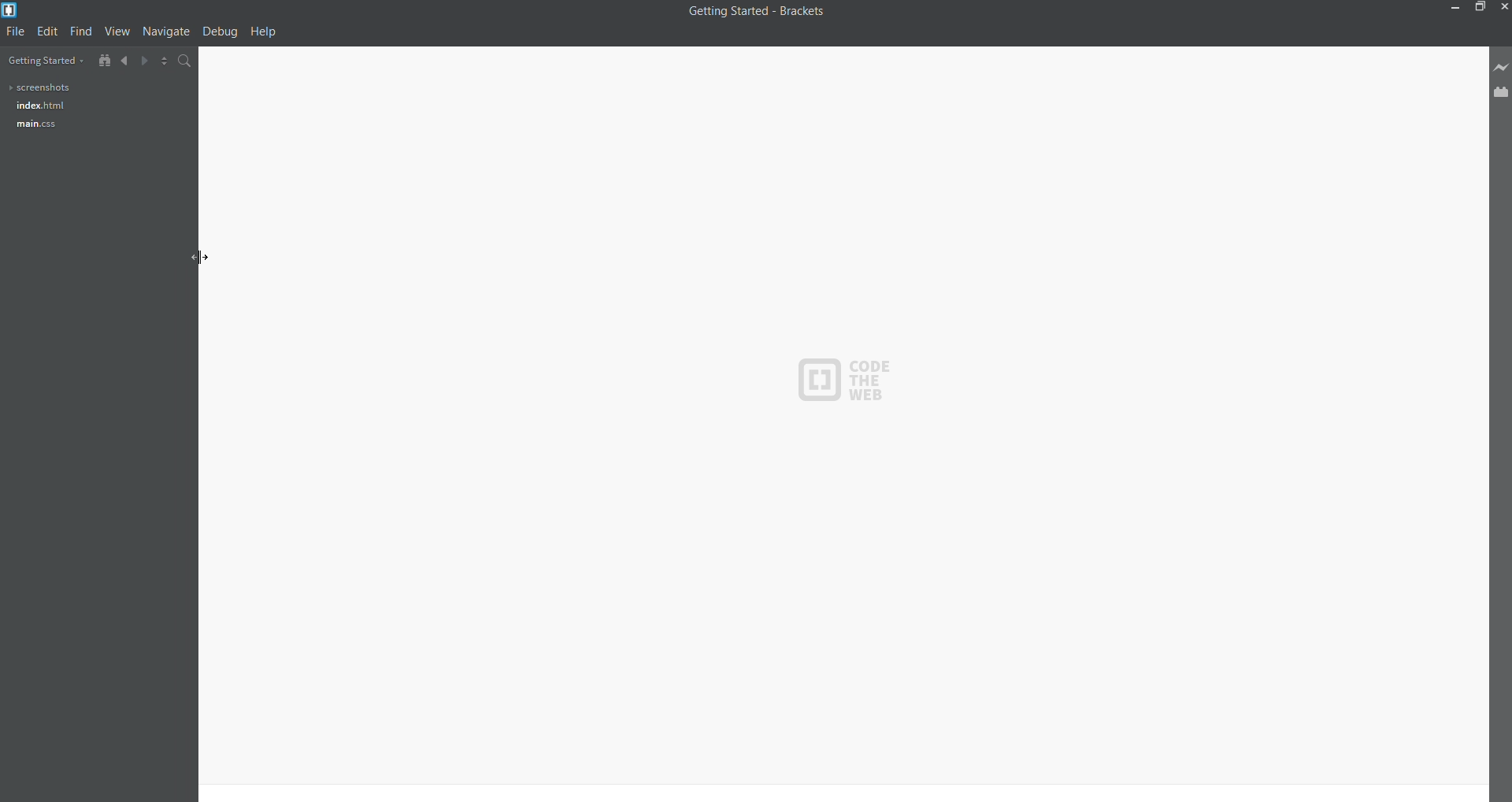 Image resolution: width=1512 pixels, height=802 pixels. I want to click on navigate, so click(164, 33).